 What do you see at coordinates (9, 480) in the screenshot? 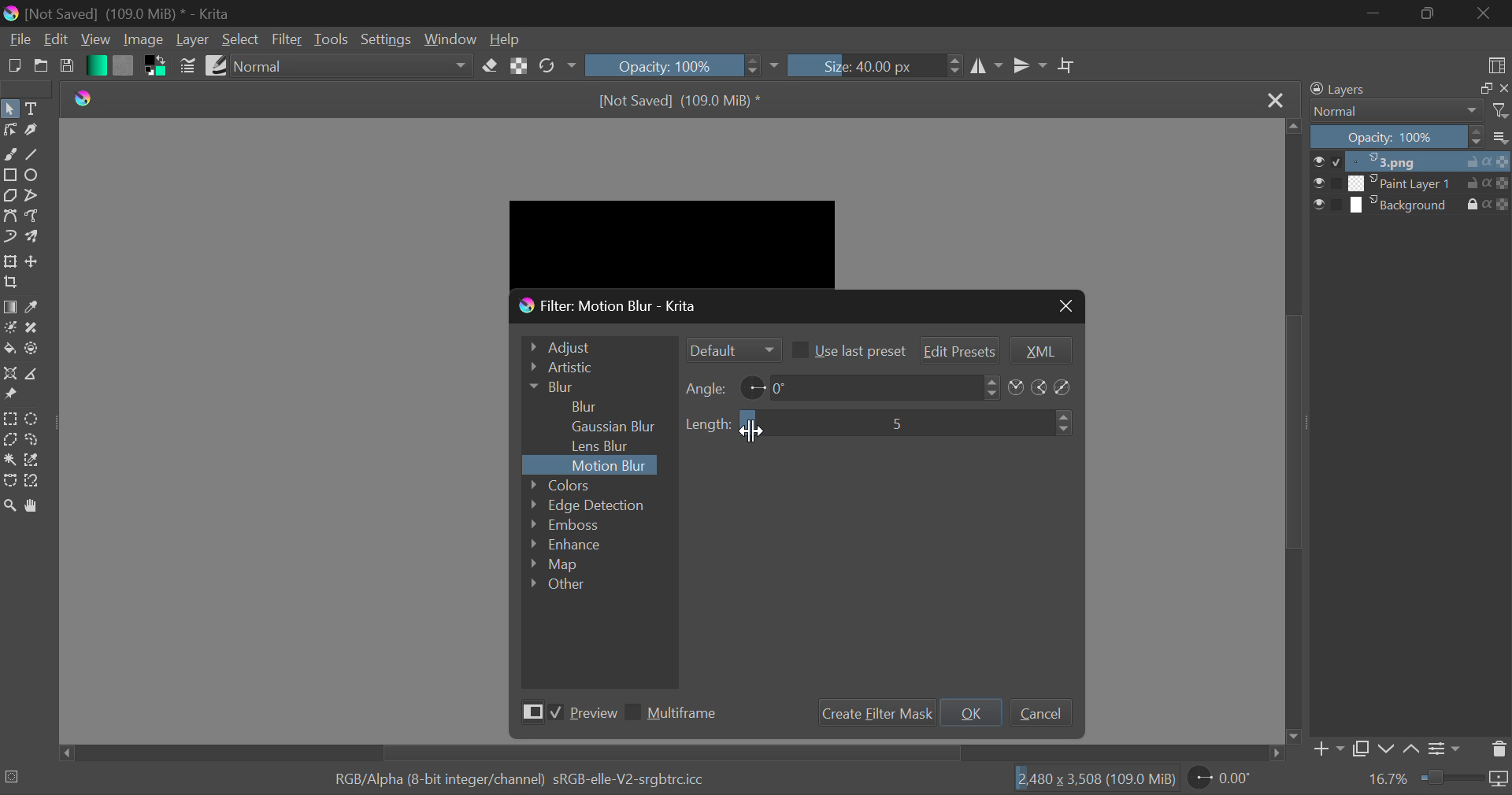
I see `Bezier Curve Selection Tool` at bounding box center [9, 480].